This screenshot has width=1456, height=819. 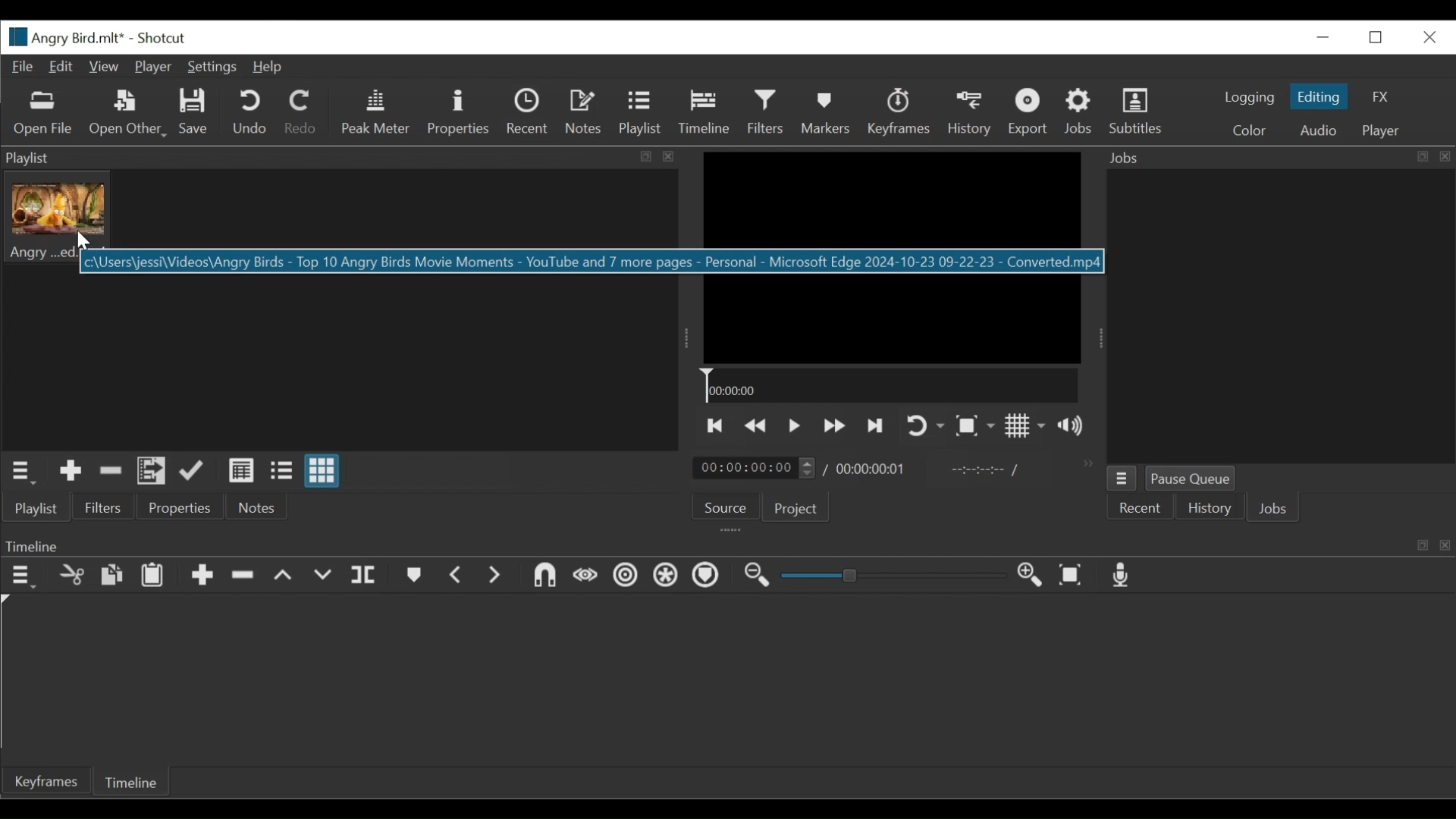 What do you see at coordinates (129, 781) in the screenshot?
I see `Timeline` at bounding box center [129, 781].